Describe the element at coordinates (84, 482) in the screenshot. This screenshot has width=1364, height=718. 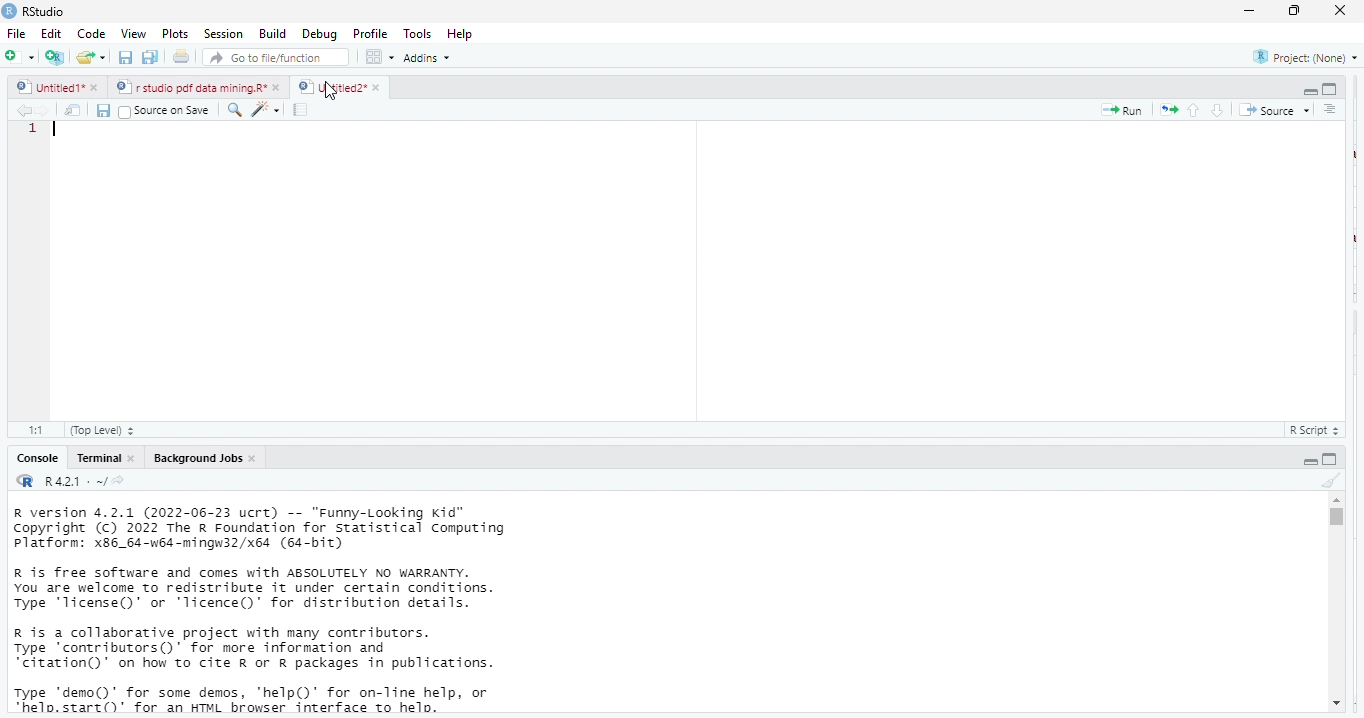
I see `R421: ~/` at that location.